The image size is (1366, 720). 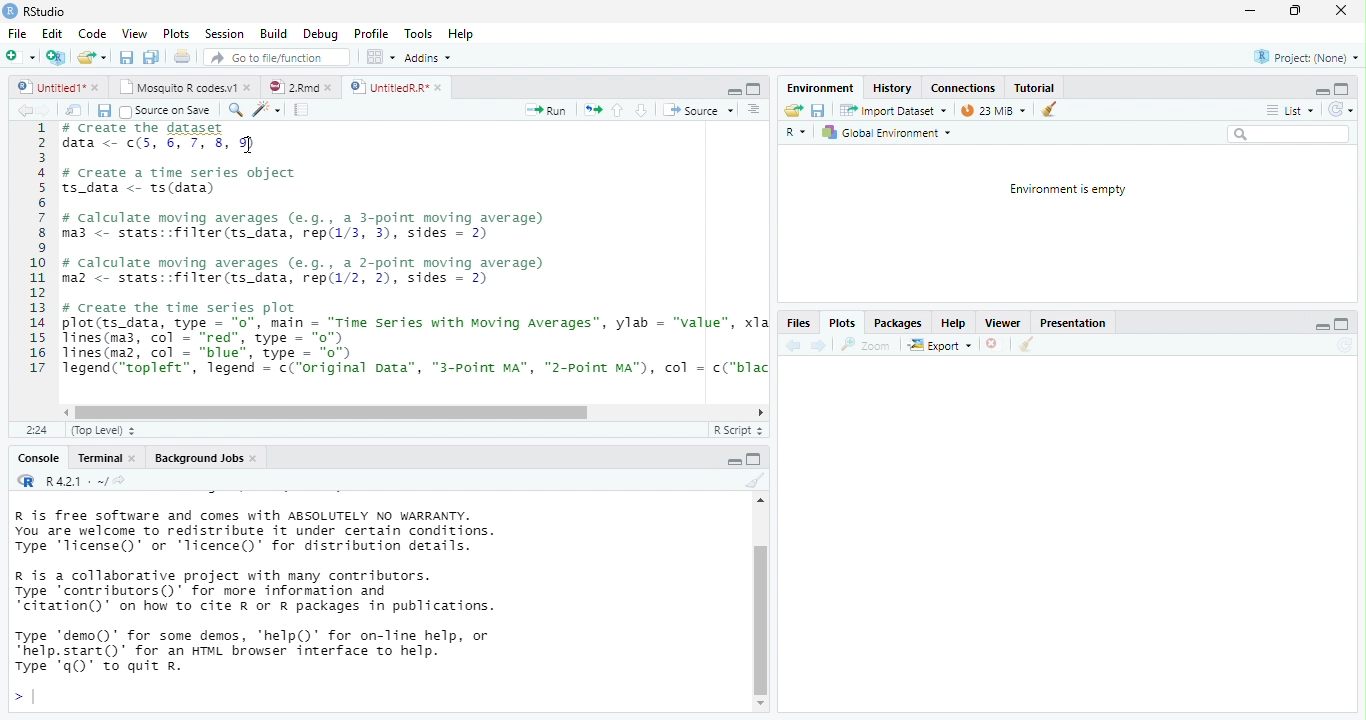 What do you see at coordinates (99, 458) in the screenshot?
I see `Terminal` at bounding box center [99, 458].